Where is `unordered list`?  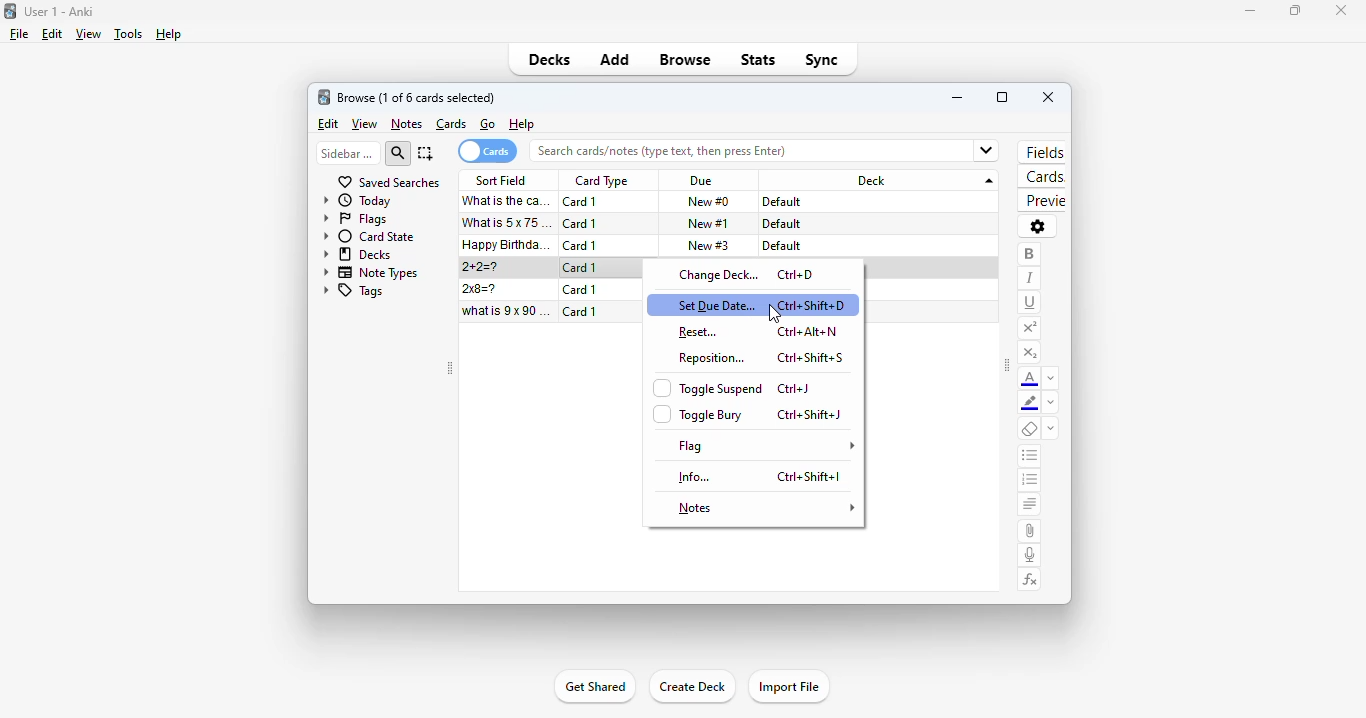
unordered list is located at coordinates (1030, 457).